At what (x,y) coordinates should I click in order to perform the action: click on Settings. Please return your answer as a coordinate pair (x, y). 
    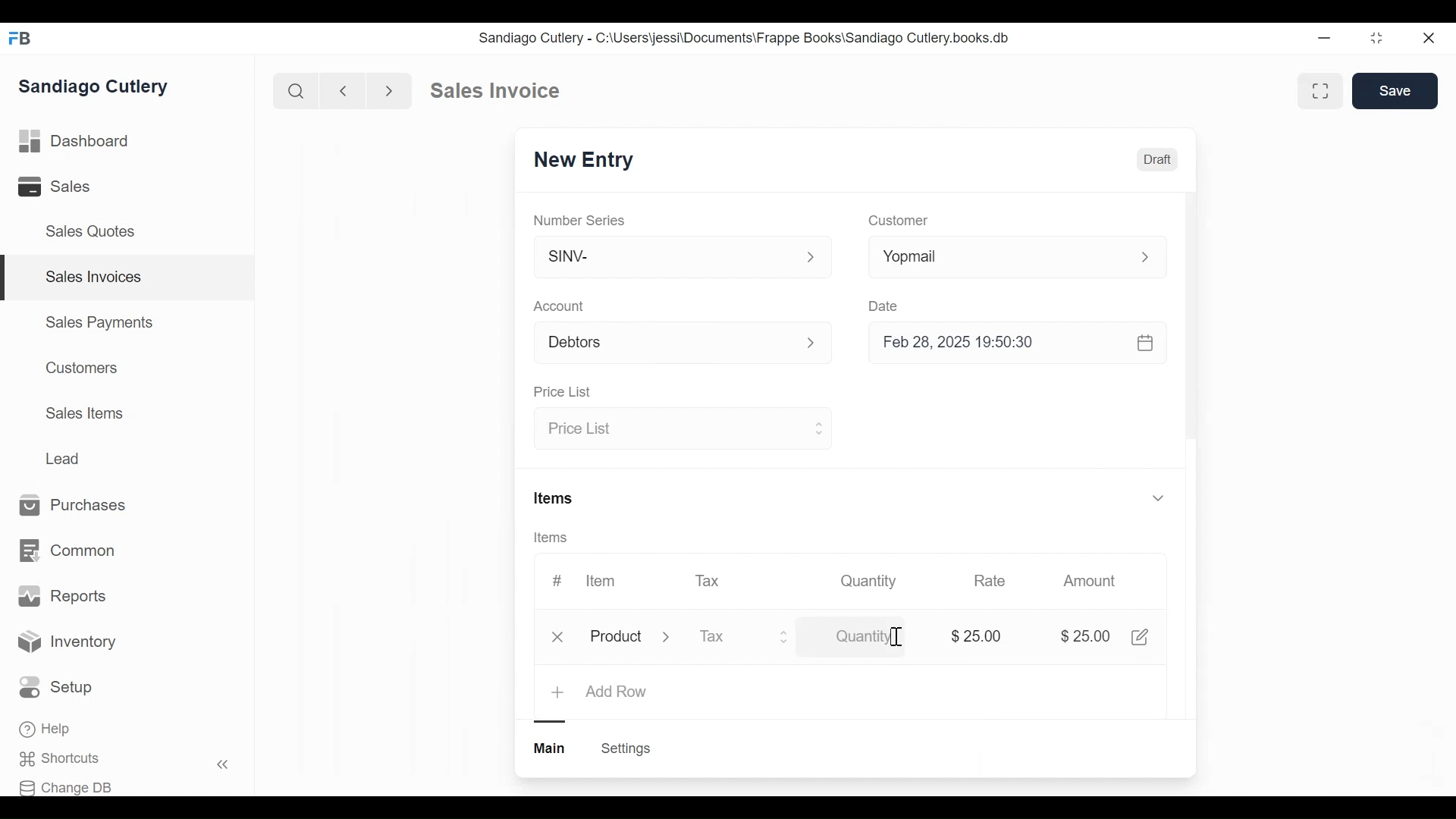
    Looking at the image, I should click on (628, 748).